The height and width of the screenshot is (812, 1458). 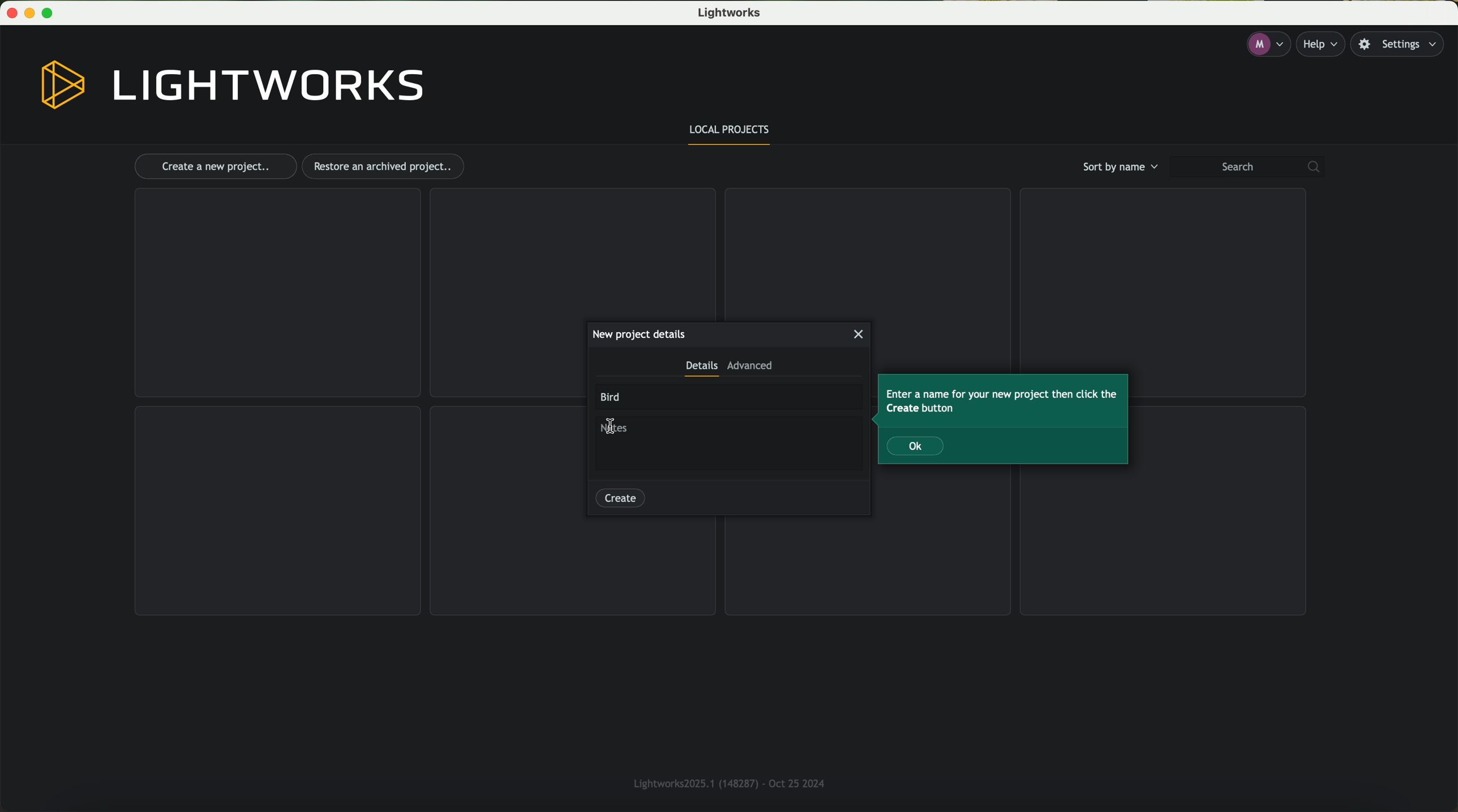 I want to click on search bar, so click(x=1252, y=167).